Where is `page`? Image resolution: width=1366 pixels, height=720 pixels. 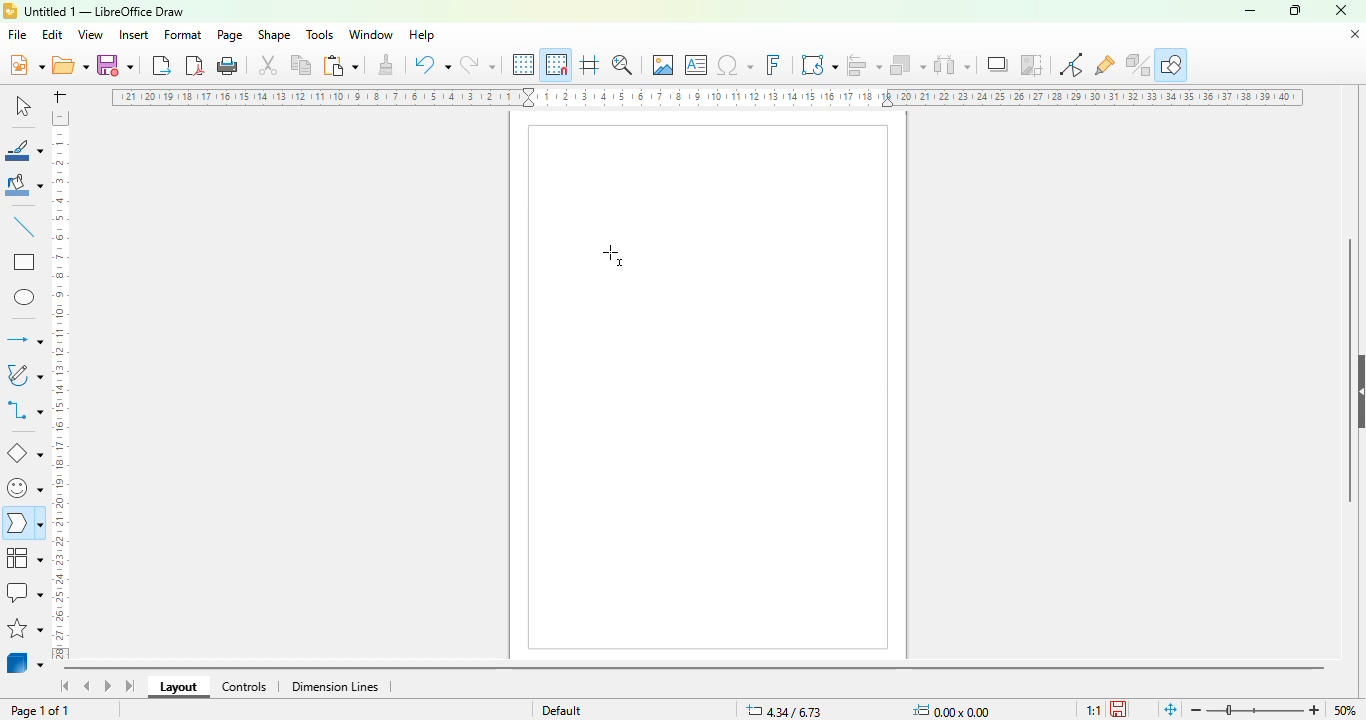
page is located at coordinates (229, 35).